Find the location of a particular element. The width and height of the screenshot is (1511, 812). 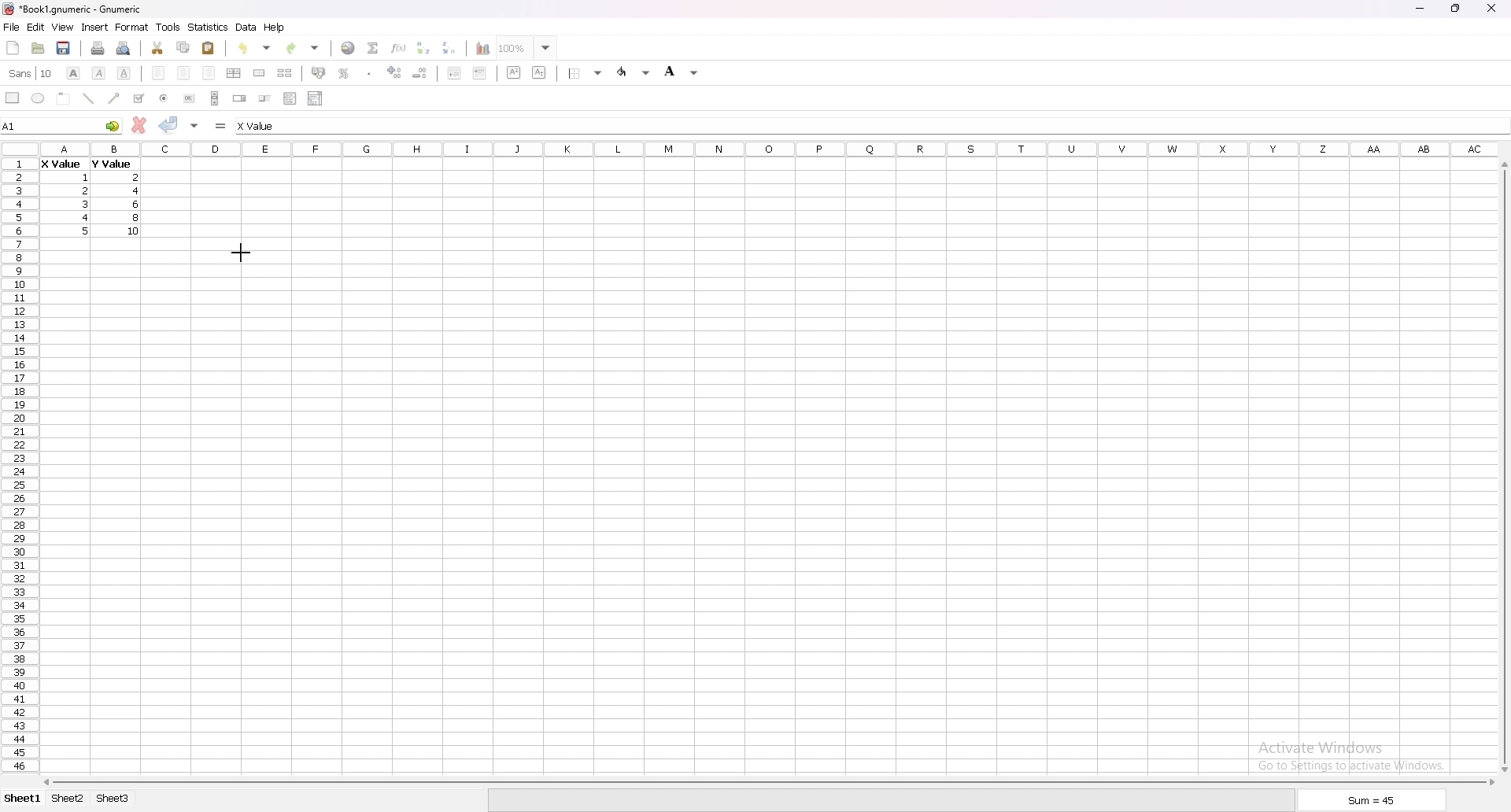

function is located at coordinates (401, 47).